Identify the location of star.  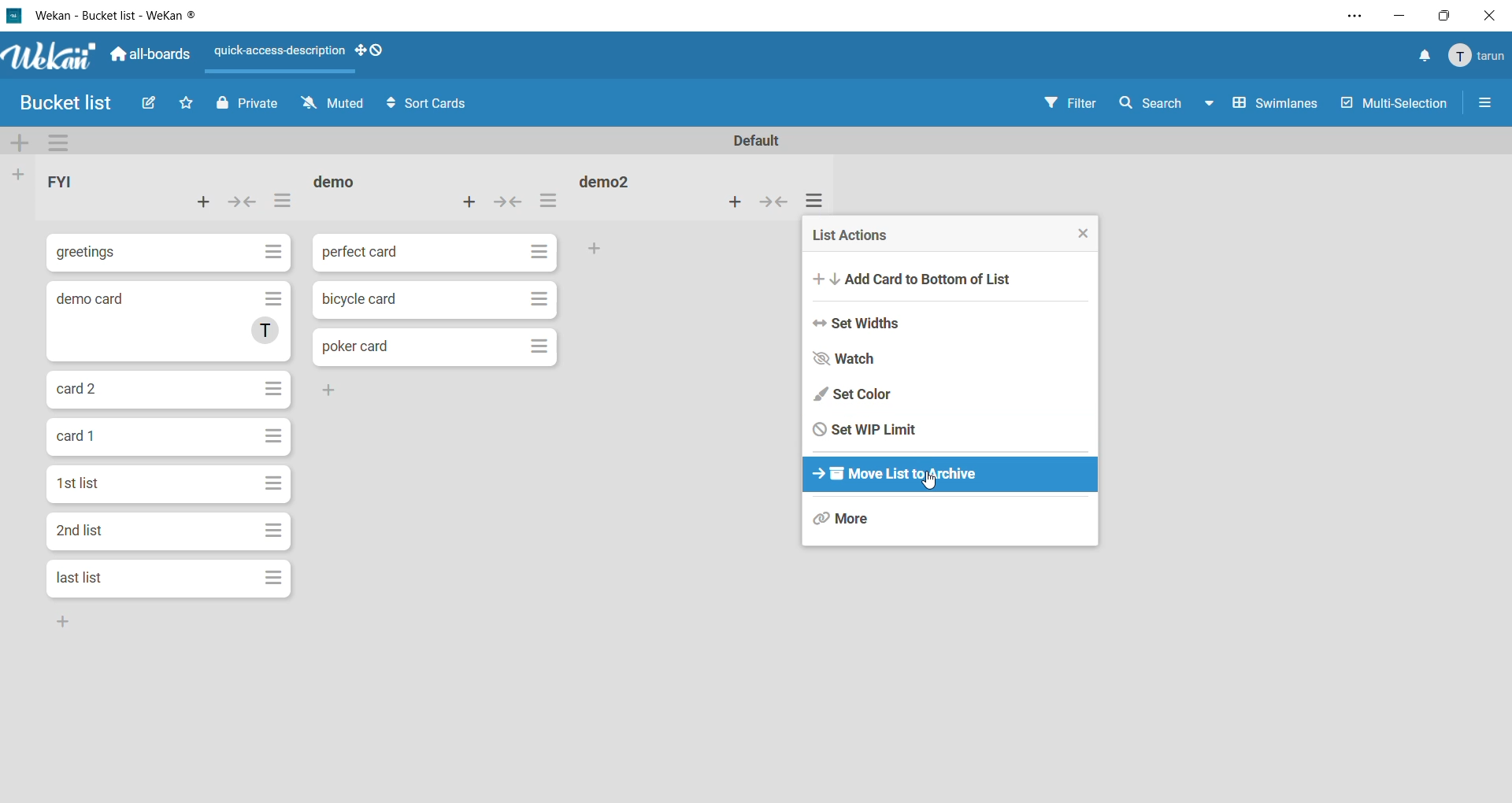
(183, 102).